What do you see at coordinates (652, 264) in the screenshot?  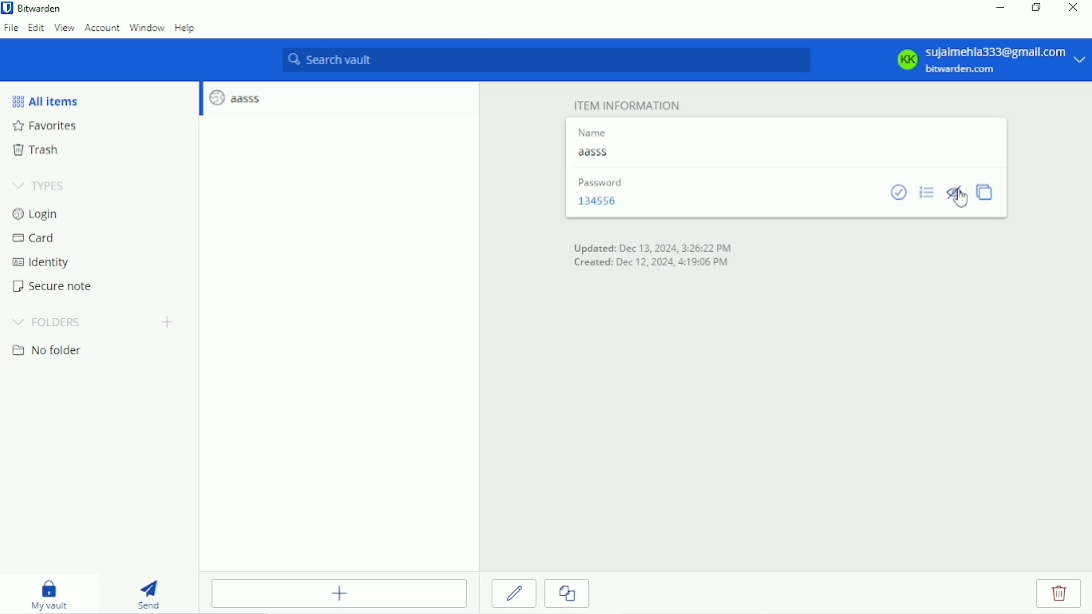 I see `Created on` at bounding box center [652, 264].